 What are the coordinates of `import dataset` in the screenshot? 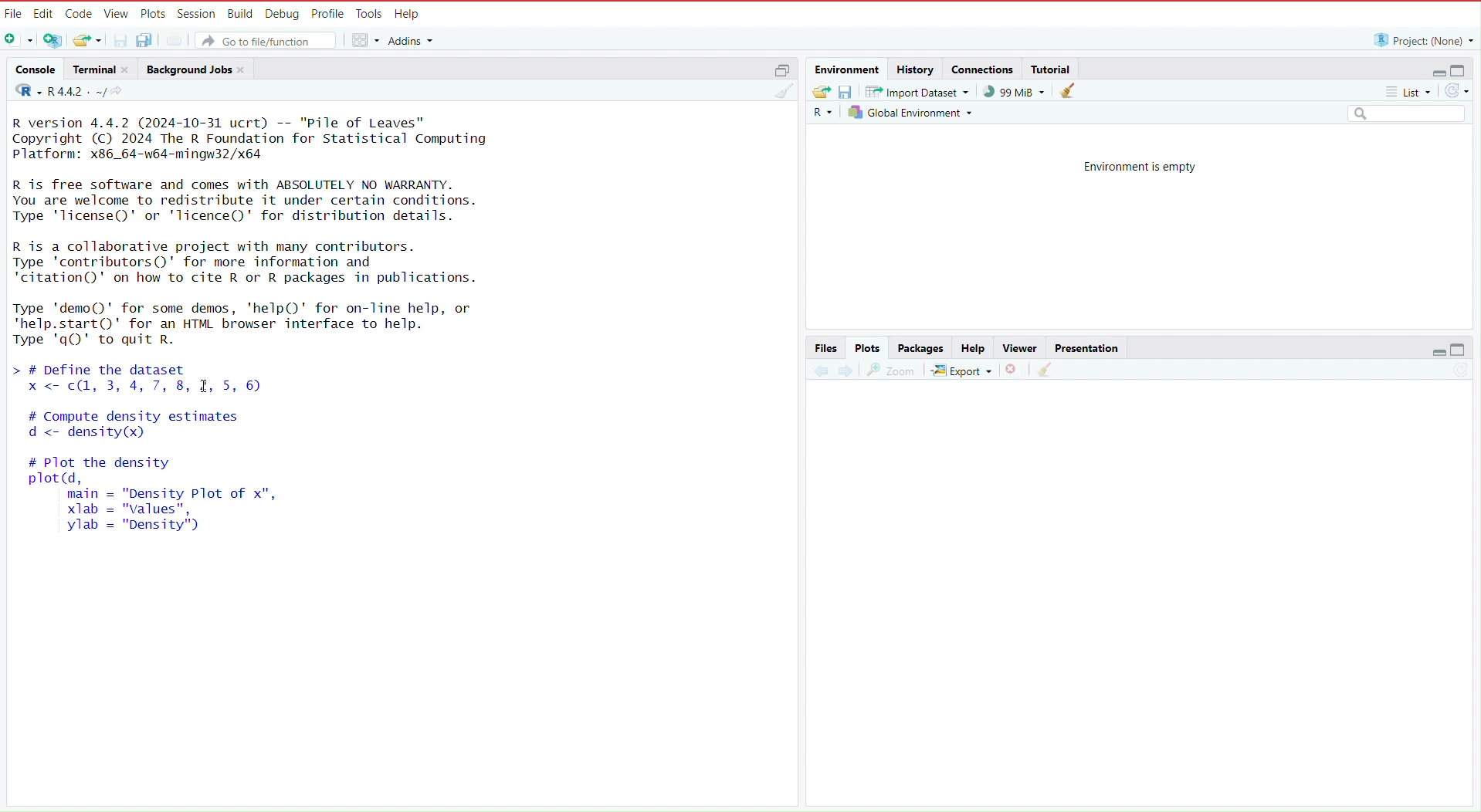 It's located at (917, 93).